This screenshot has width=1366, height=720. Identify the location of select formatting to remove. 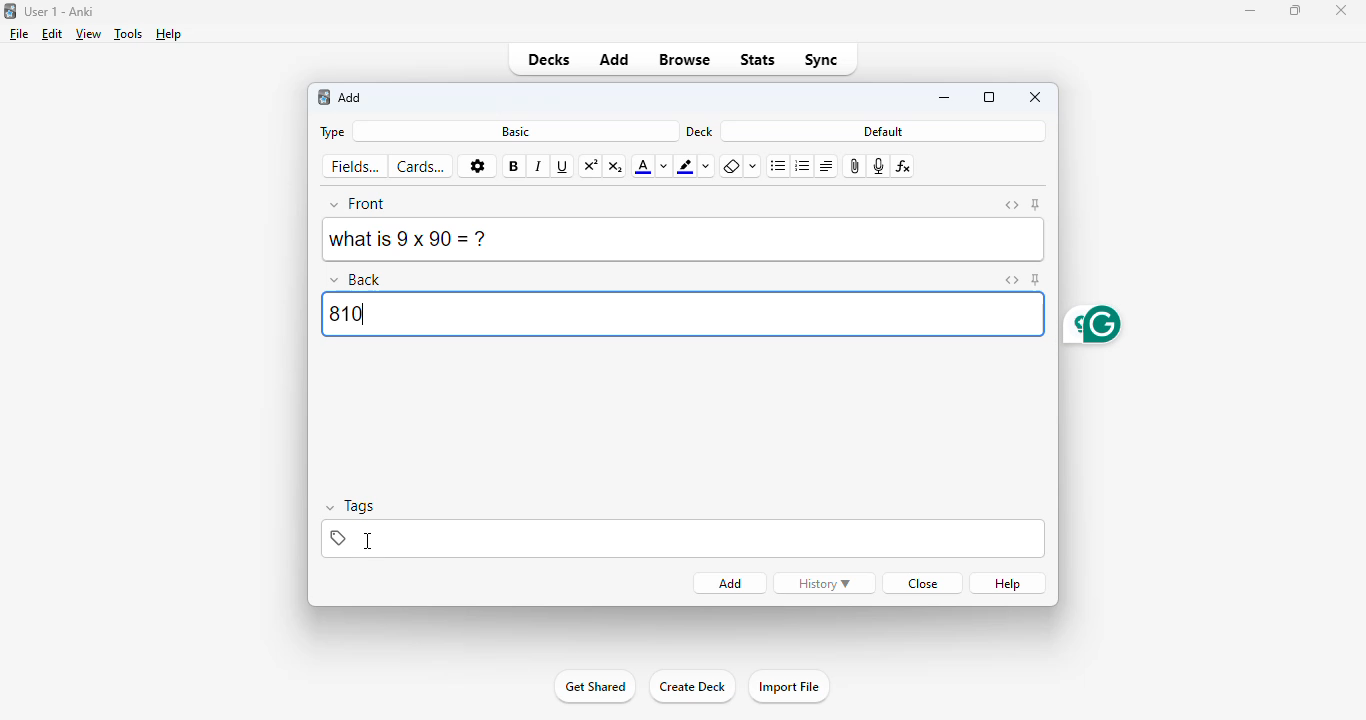
(754, 167).